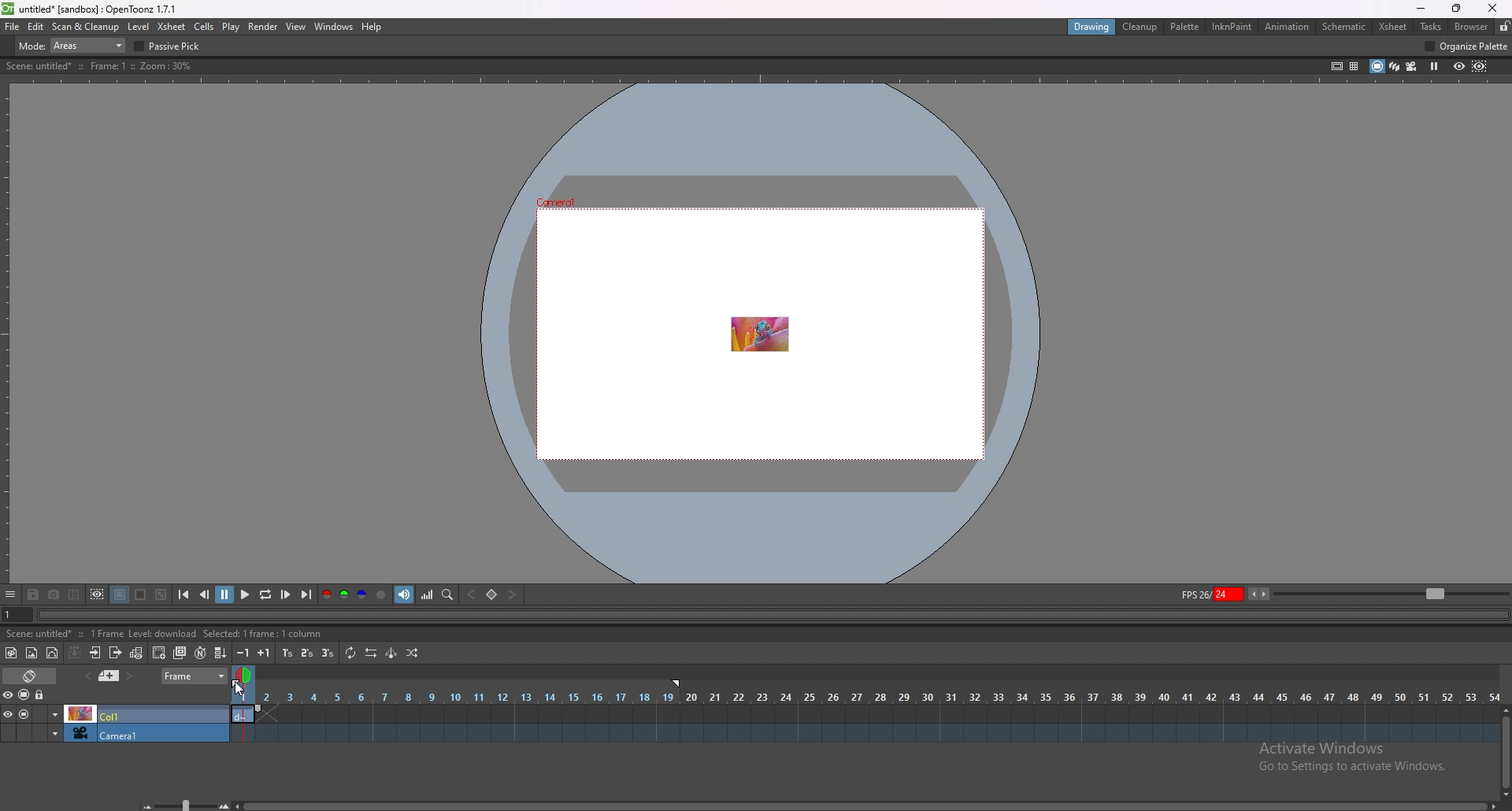 The width and height of the screenshot is (1512, 811). What do you see at coordinates (87, 676) in the screenshot?
I see `add memo` at bounding box center [87, 676].